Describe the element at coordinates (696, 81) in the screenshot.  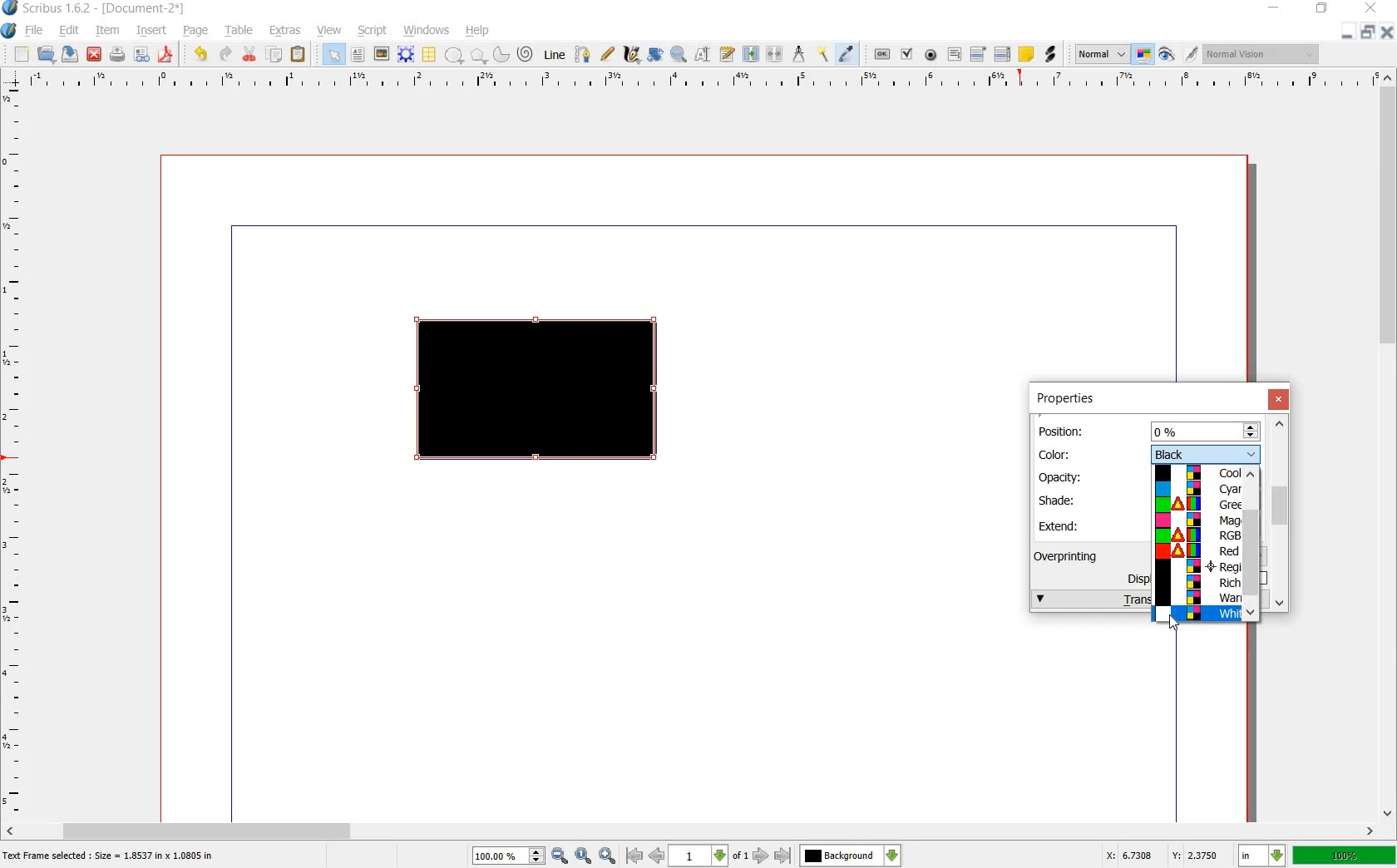
I see `ruler` at that location.